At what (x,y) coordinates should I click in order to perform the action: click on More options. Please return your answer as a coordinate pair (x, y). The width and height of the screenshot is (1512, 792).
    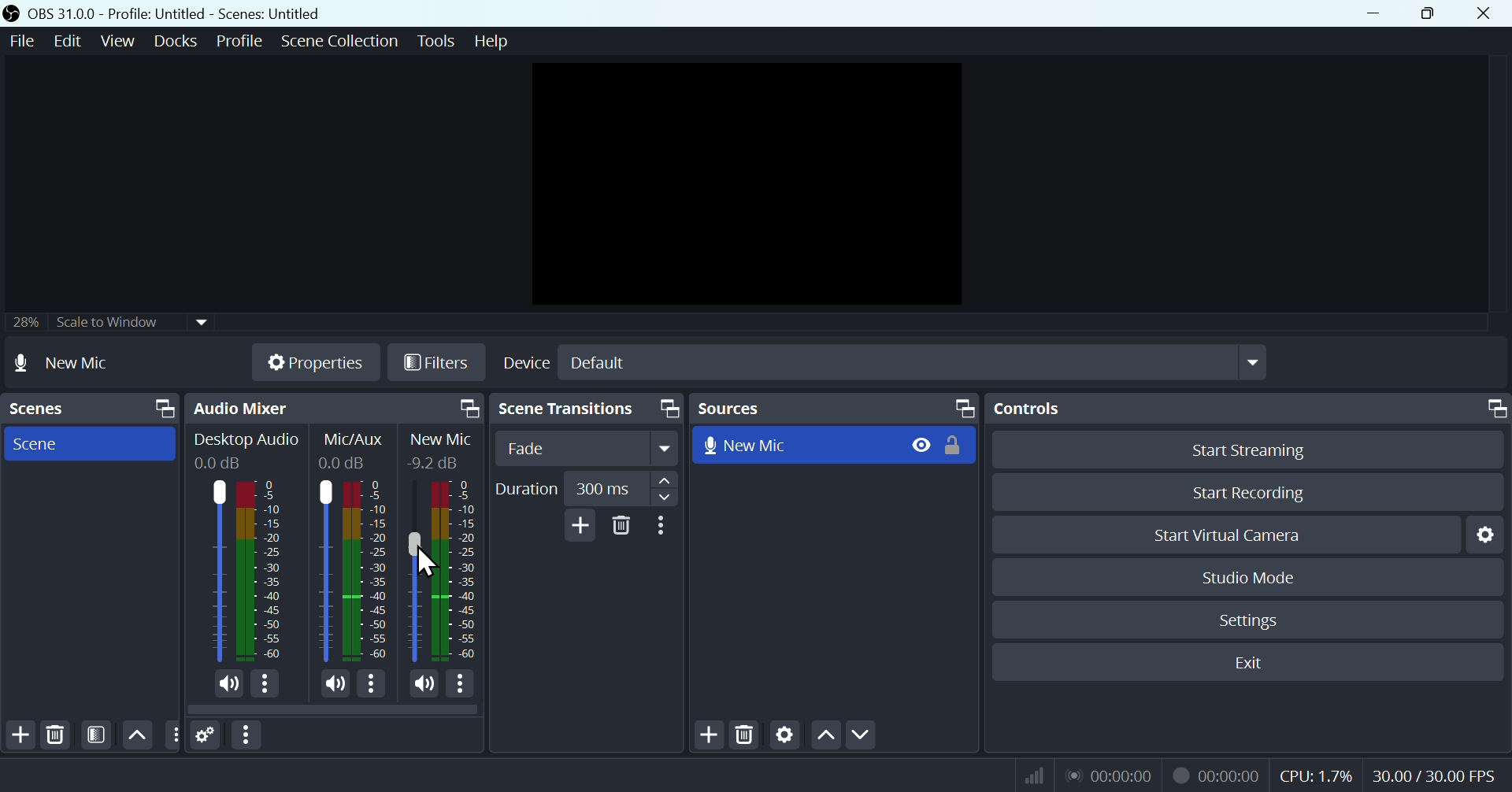
    Looking at the image, I should click on (372, 687).